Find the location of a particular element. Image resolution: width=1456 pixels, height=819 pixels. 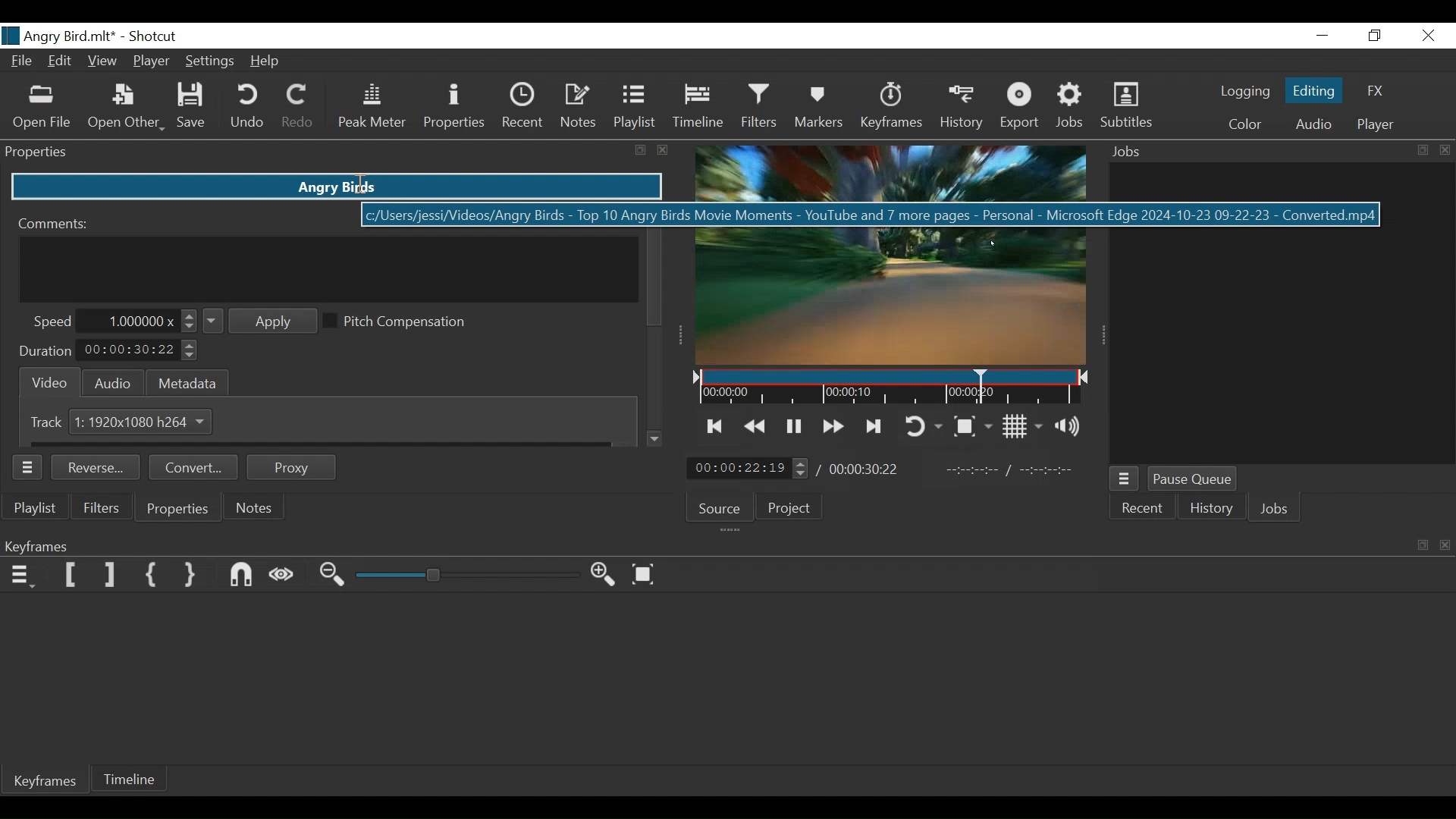

Audio is located at coordinates (1311, 124).